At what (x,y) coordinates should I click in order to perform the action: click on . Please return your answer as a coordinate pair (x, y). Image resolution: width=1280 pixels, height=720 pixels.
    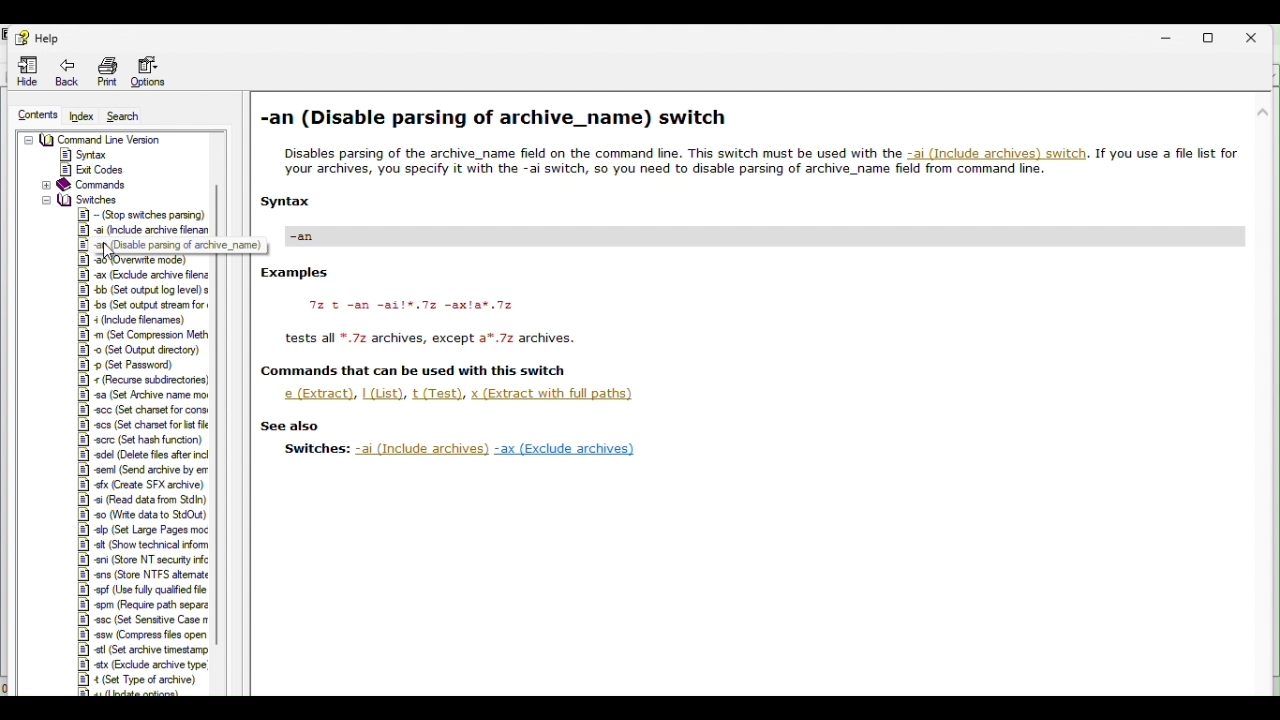
    Looking at the image, I should click on (316, 235).